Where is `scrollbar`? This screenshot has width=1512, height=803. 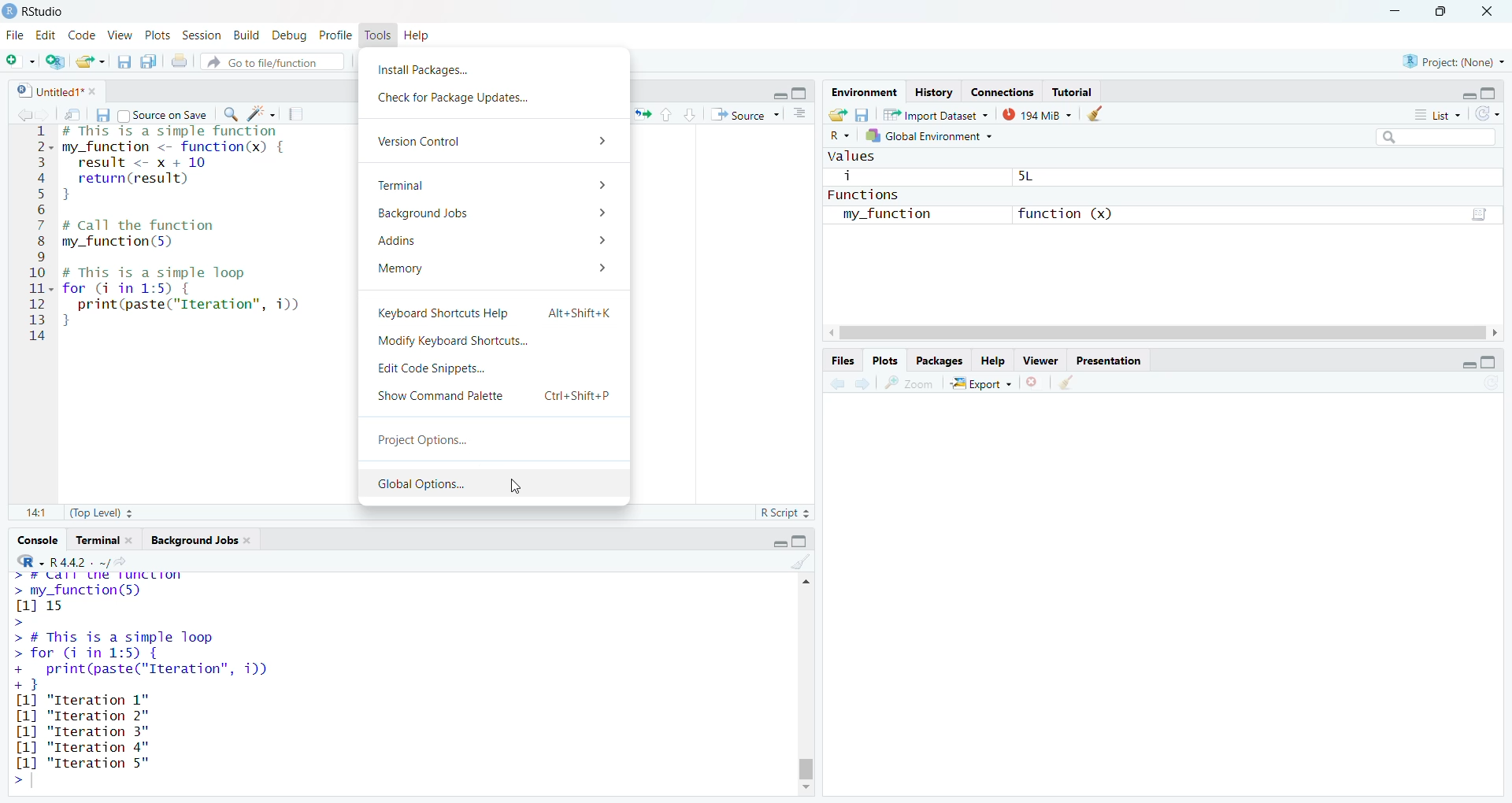
scrollbar is located at coordinates (806, 689).